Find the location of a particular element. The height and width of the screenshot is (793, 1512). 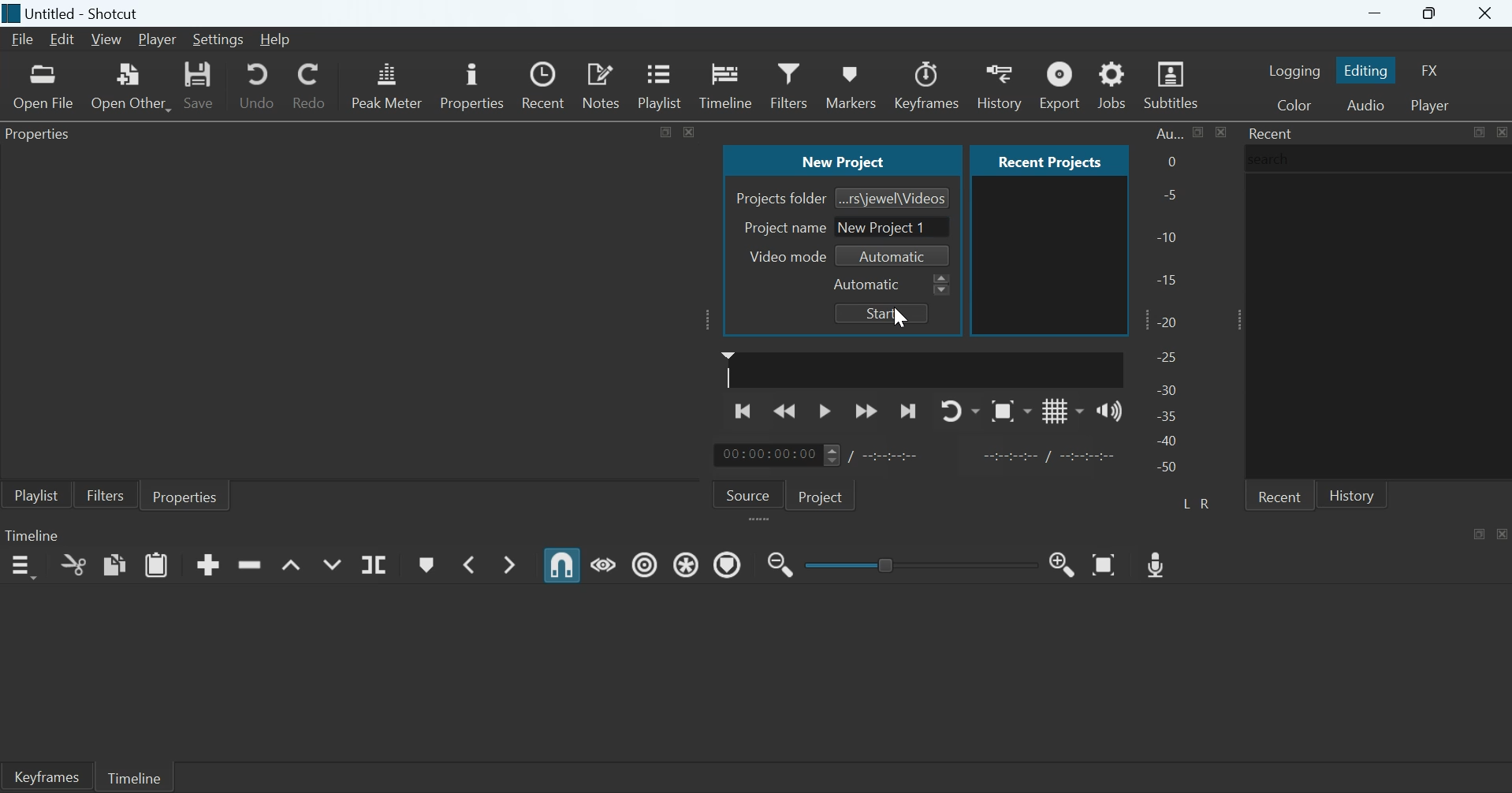

Maximize is located at coordinates (1480, 533).